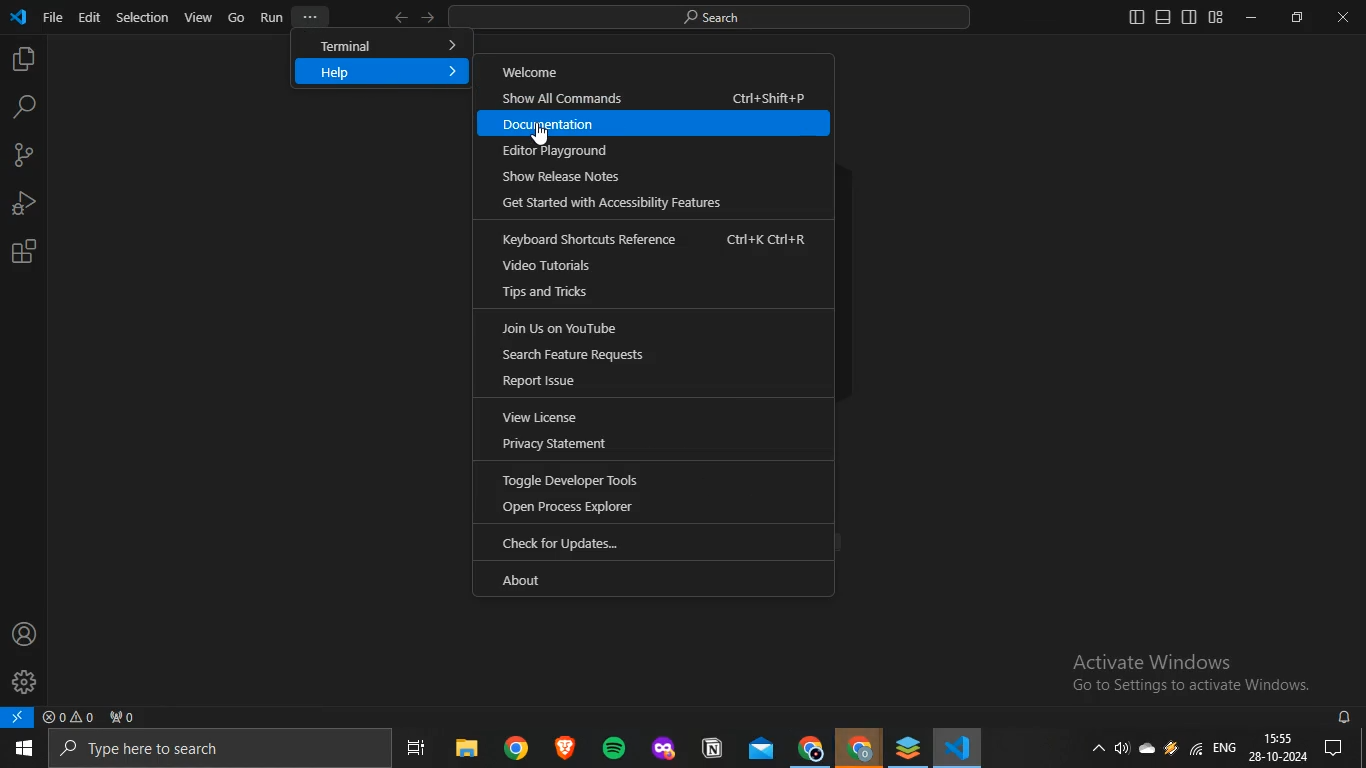  What do you see at coordinates (656, 99) in the screenshot?
I see `‘Show All Commands` at bounding box center [656, 99].